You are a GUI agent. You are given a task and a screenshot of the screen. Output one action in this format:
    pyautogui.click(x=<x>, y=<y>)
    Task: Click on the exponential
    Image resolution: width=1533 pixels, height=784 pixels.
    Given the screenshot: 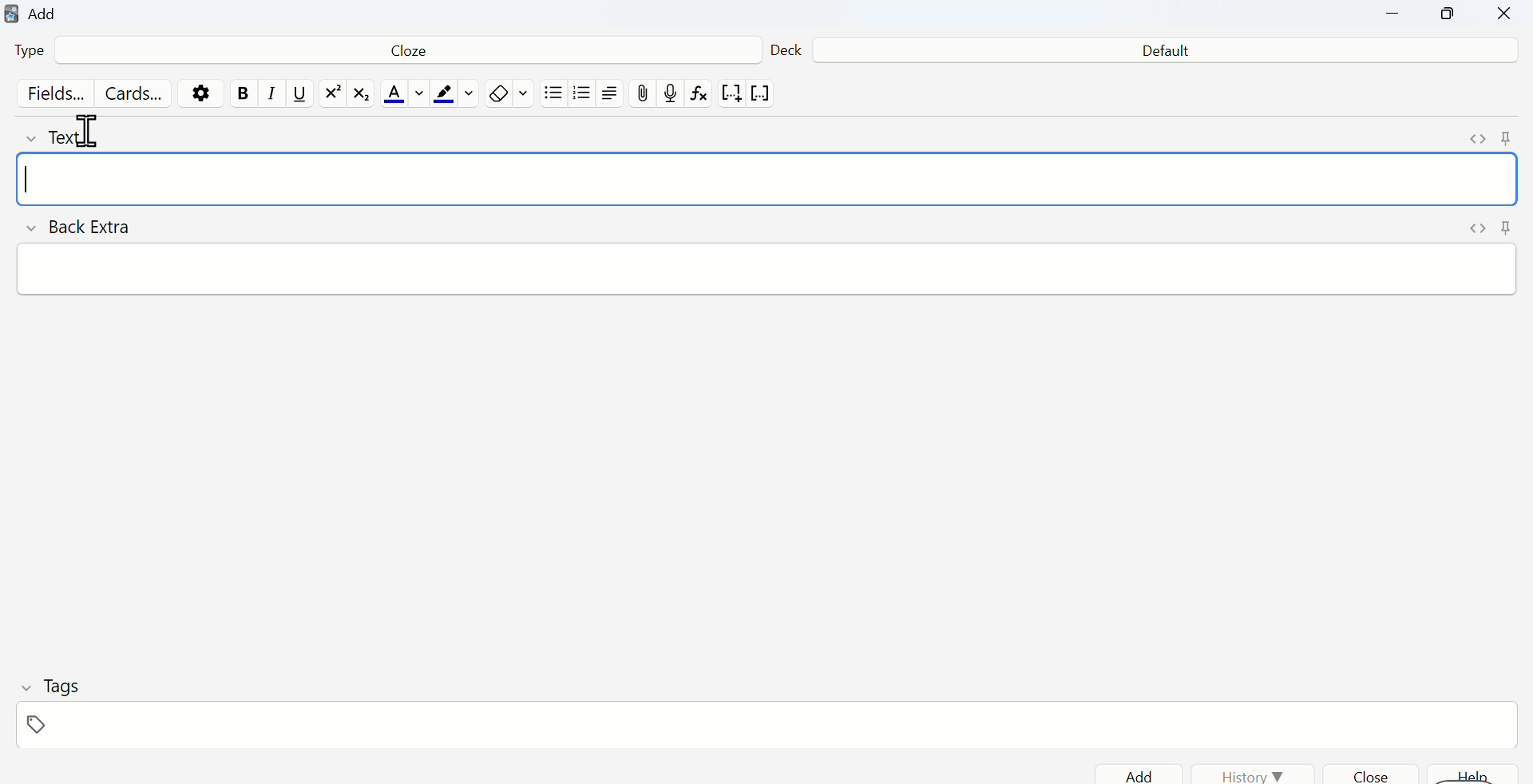 What is the action you would take?
    pyautogui.click(x=332, y=94)
    